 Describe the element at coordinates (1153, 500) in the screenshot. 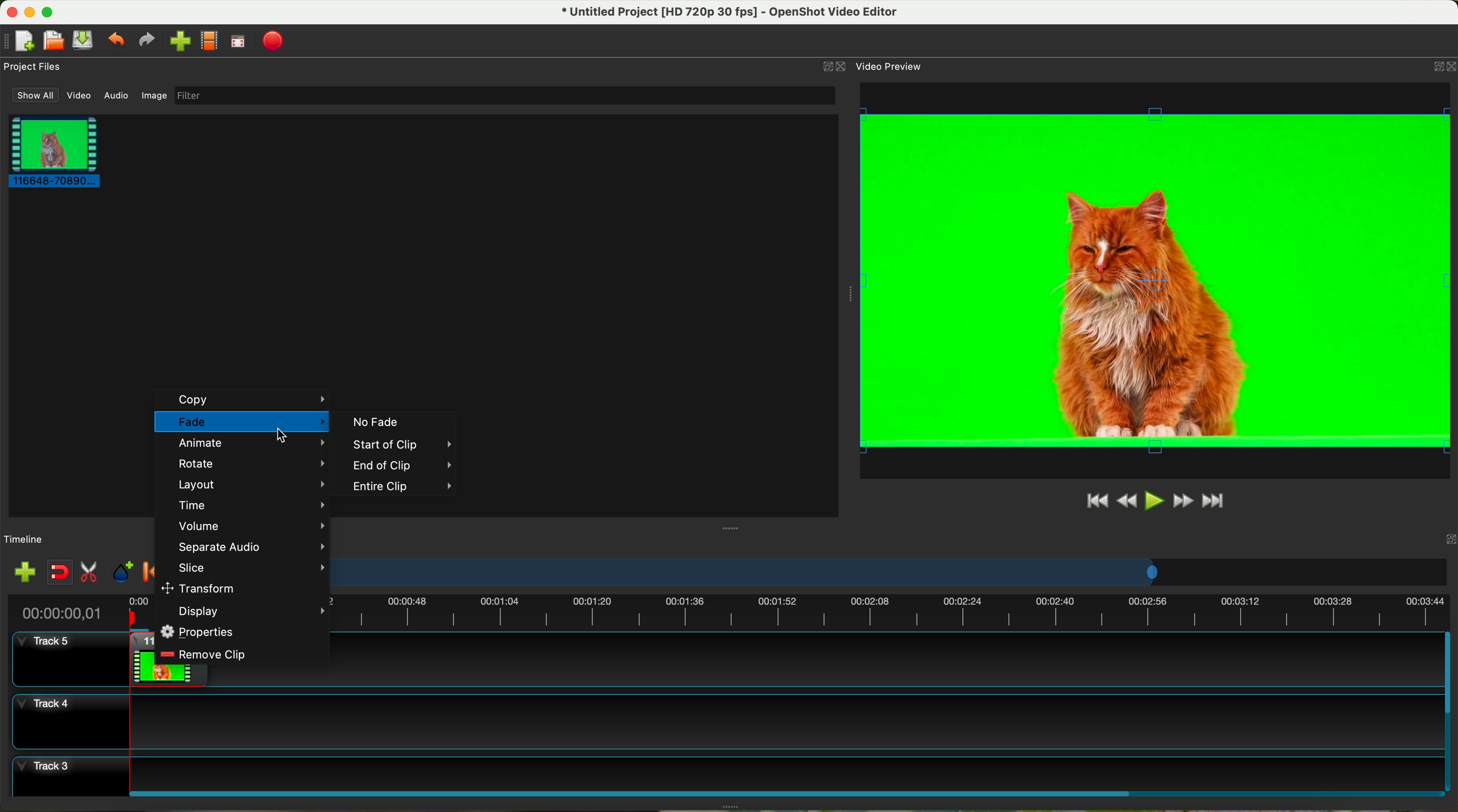

I see `play` at that location.